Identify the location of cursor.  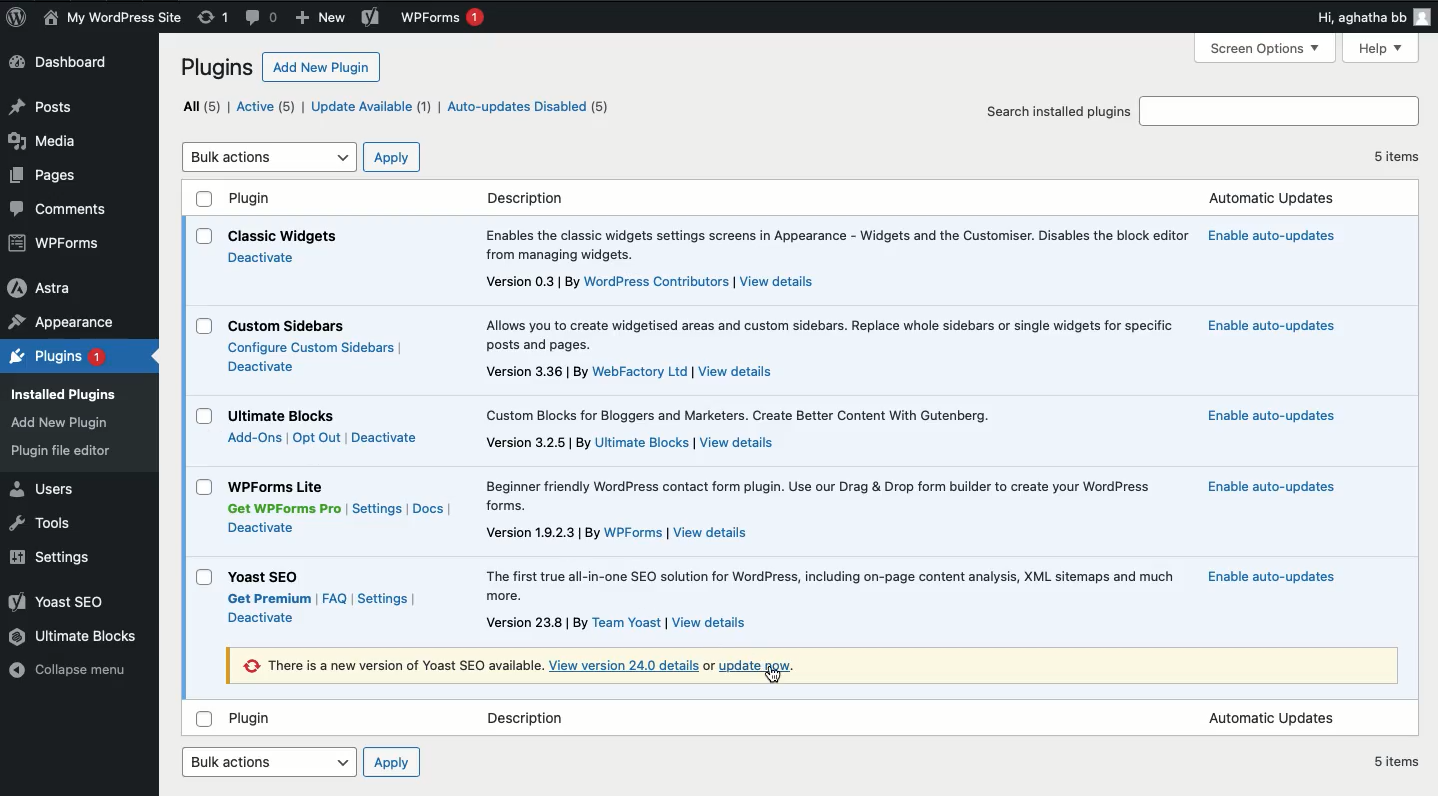
(772, 677).